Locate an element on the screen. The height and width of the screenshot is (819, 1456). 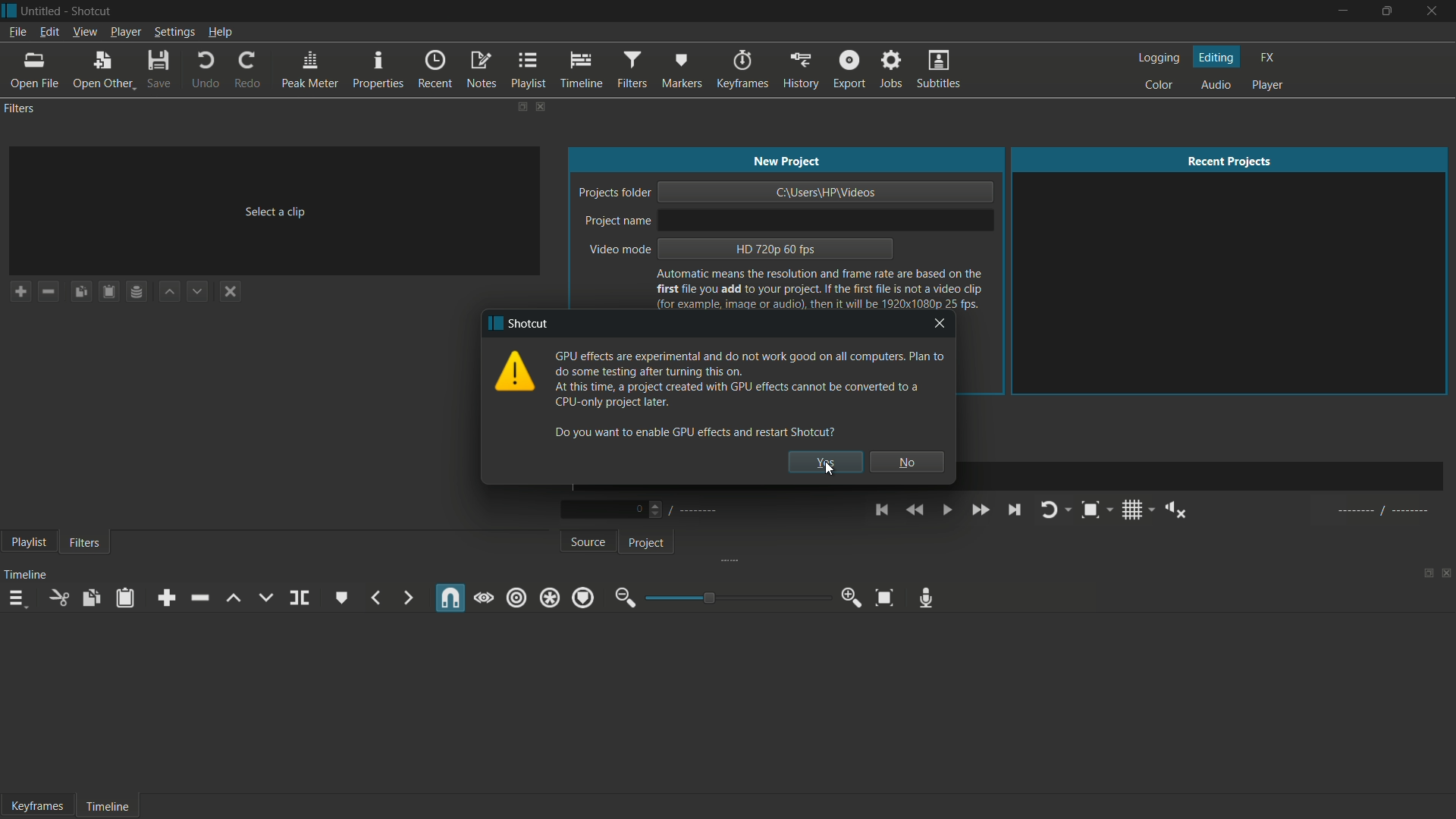
toggle zoom is located at coordinates (1095, 510).